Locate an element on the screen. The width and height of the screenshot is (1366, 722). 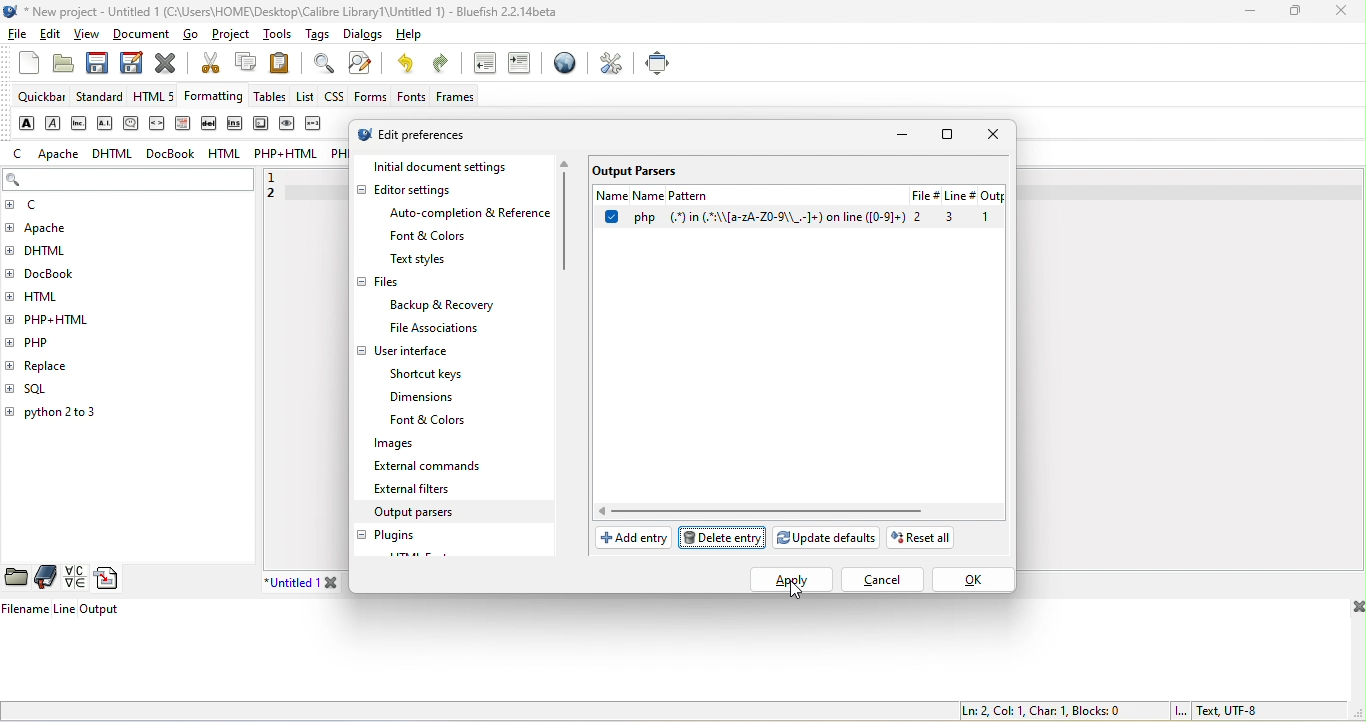
copy is located at coordinates (249, 64).